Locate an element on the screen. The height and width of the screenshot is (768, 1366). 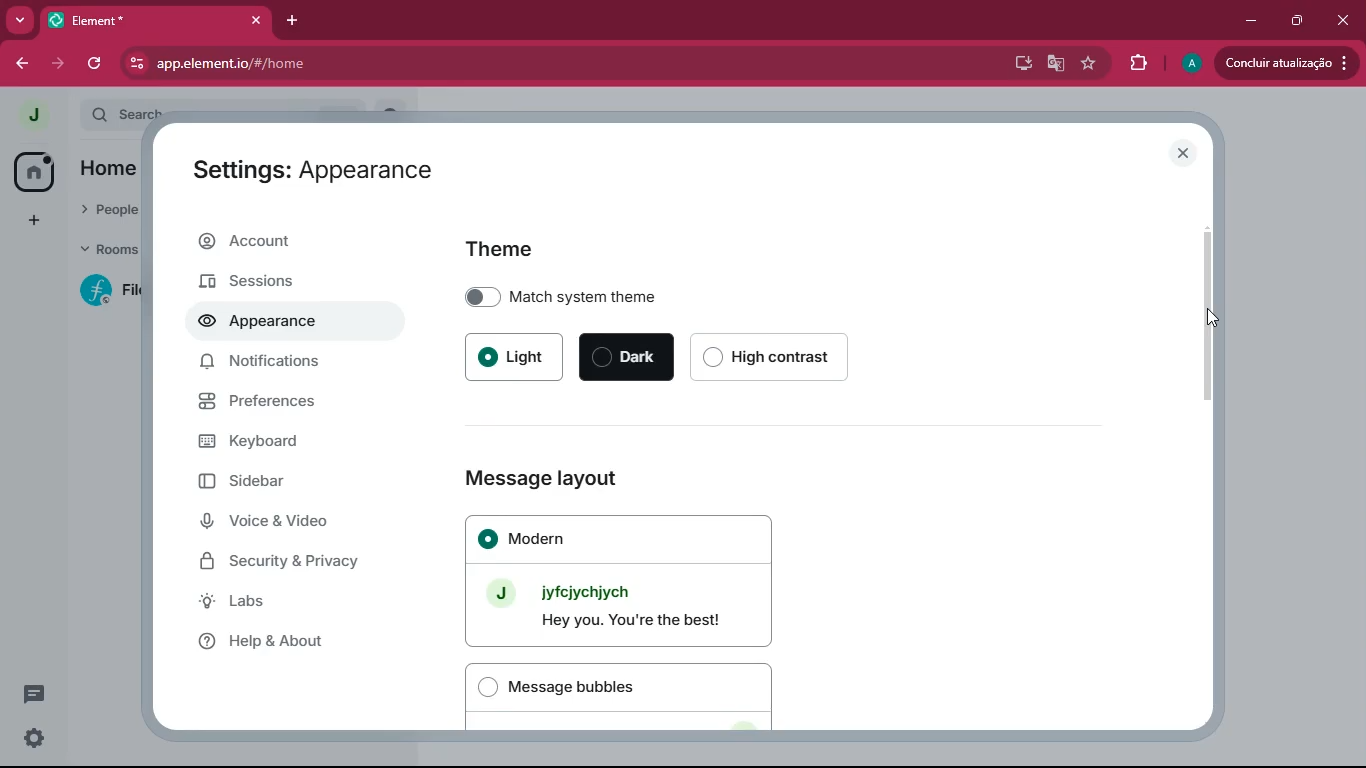
profile is located at coordinates (1188, 65).